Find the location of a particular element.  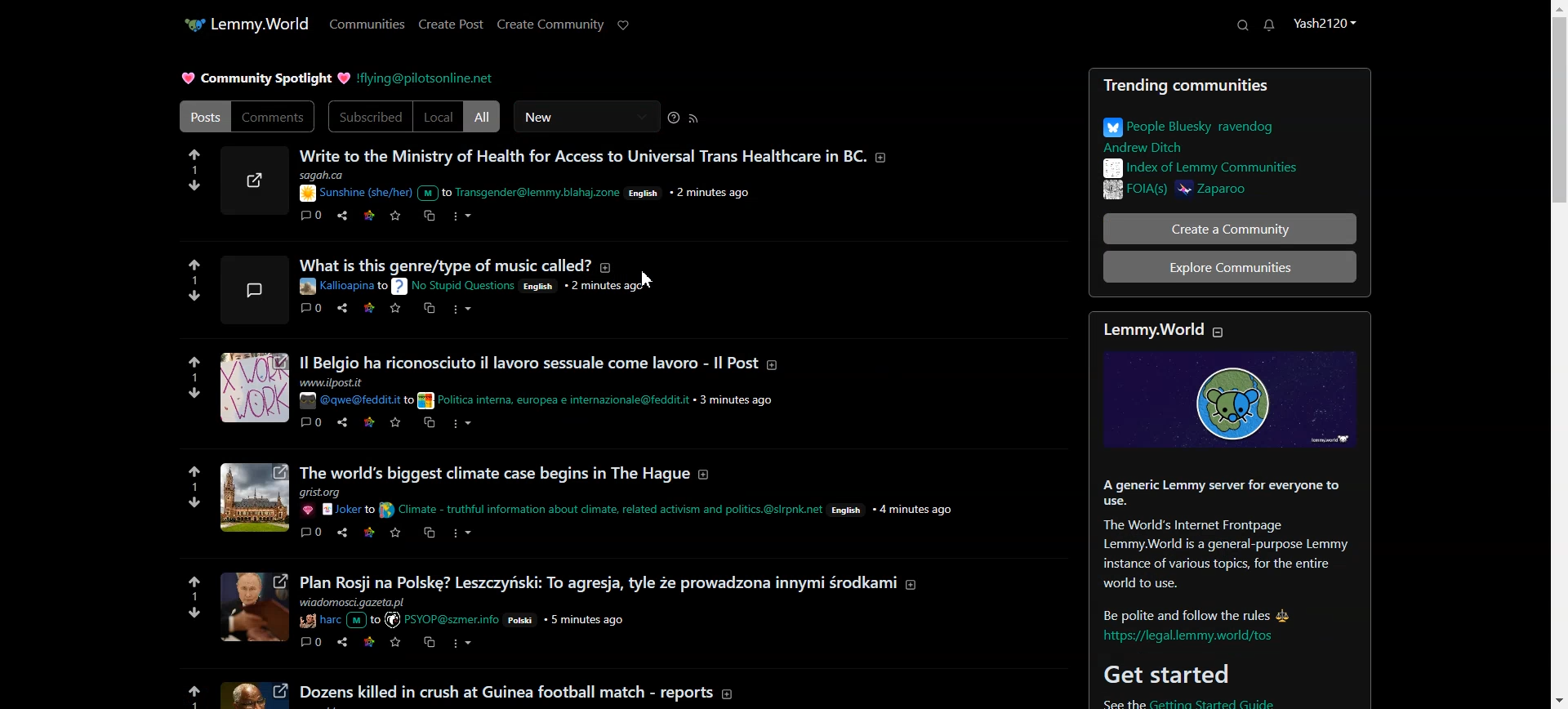

FOIA(s) is located at coordinates (1130, 191).